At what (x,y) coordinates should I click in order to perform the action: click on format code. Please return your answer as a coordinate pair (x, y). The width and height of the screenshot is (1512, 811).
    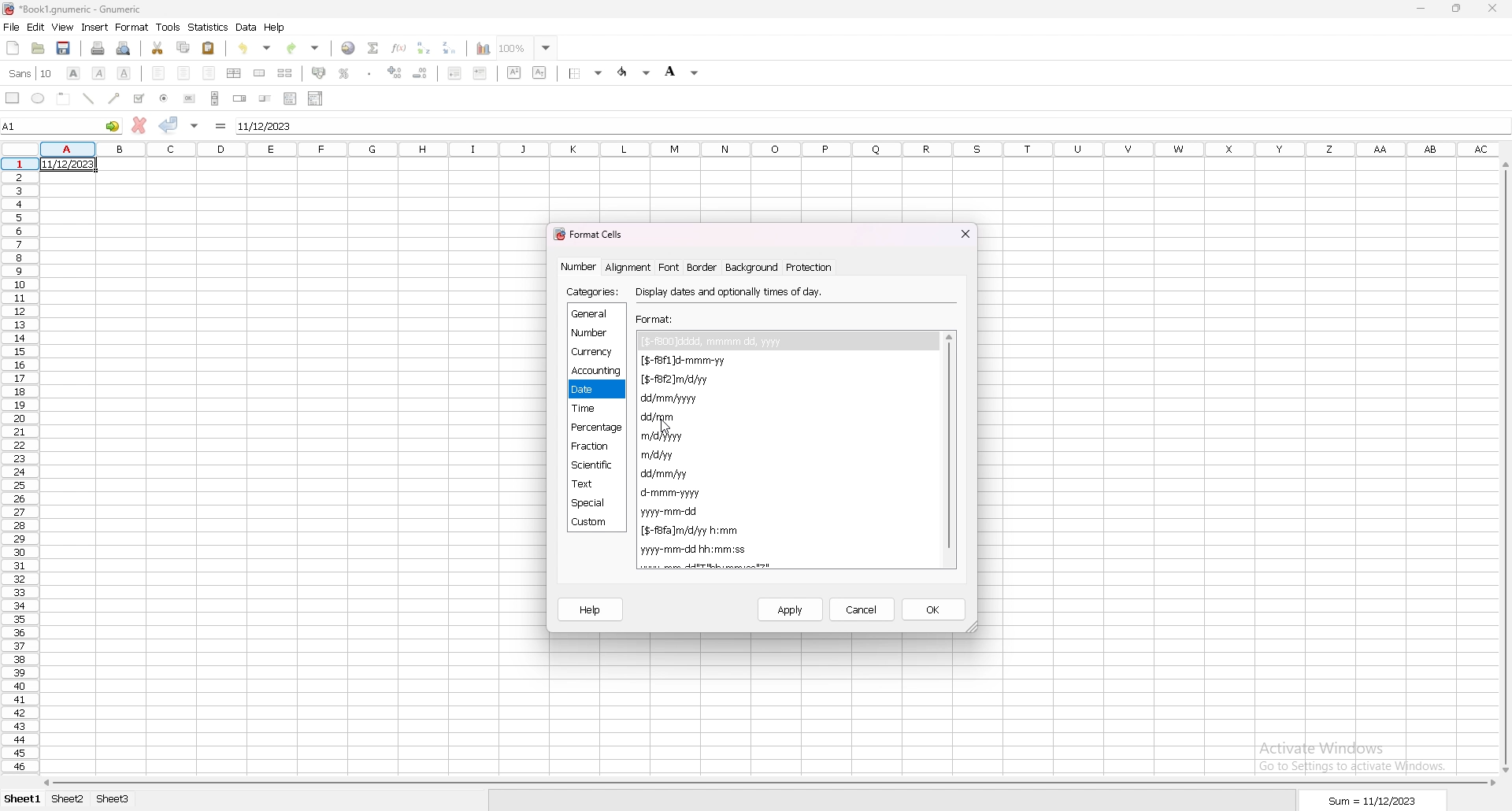
    Looking at the image, I should click on (665, 566).